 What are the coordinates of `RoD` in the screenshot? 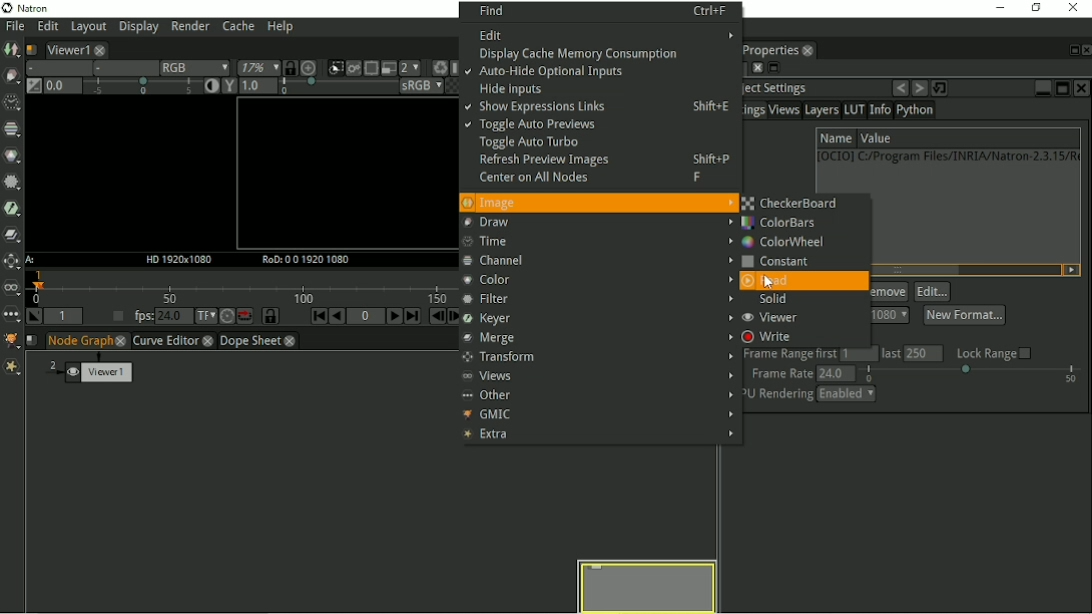 It's located at (302, 259).